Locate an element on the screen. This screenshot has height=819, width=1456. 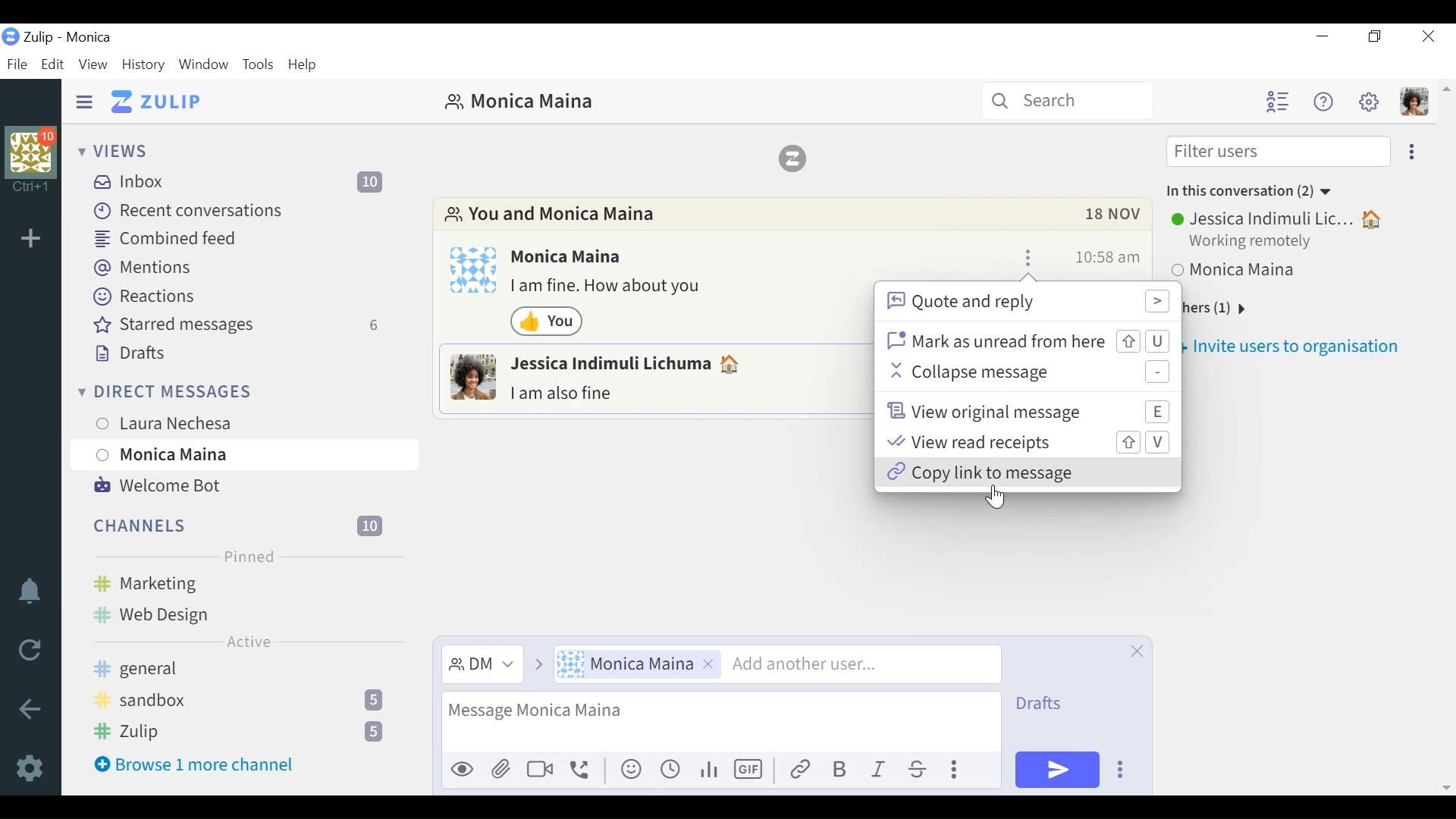
Profile photo is located at coordinates (472, 378).